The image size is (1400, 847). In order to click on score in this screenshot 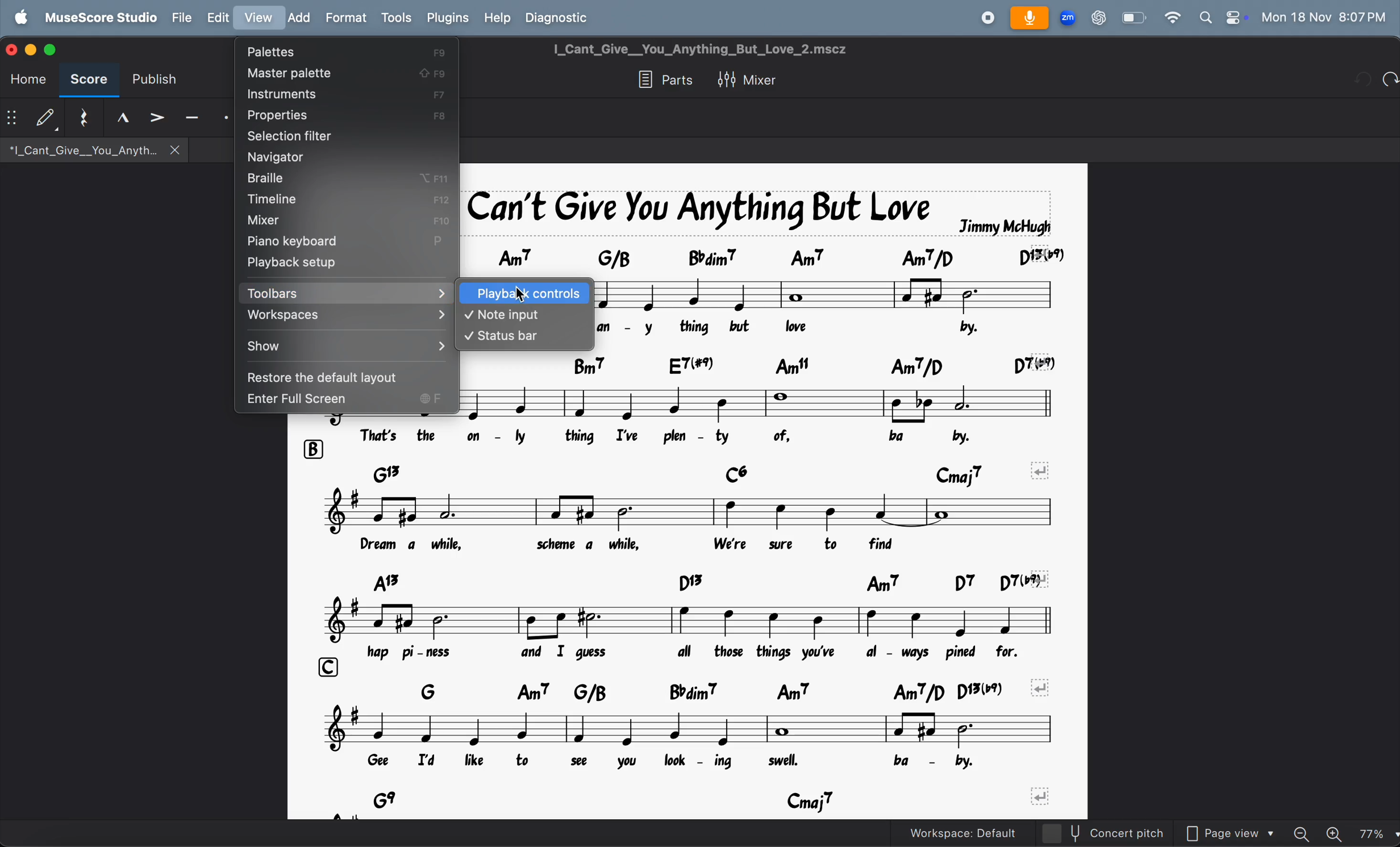, I will do `click(90, 81)`.